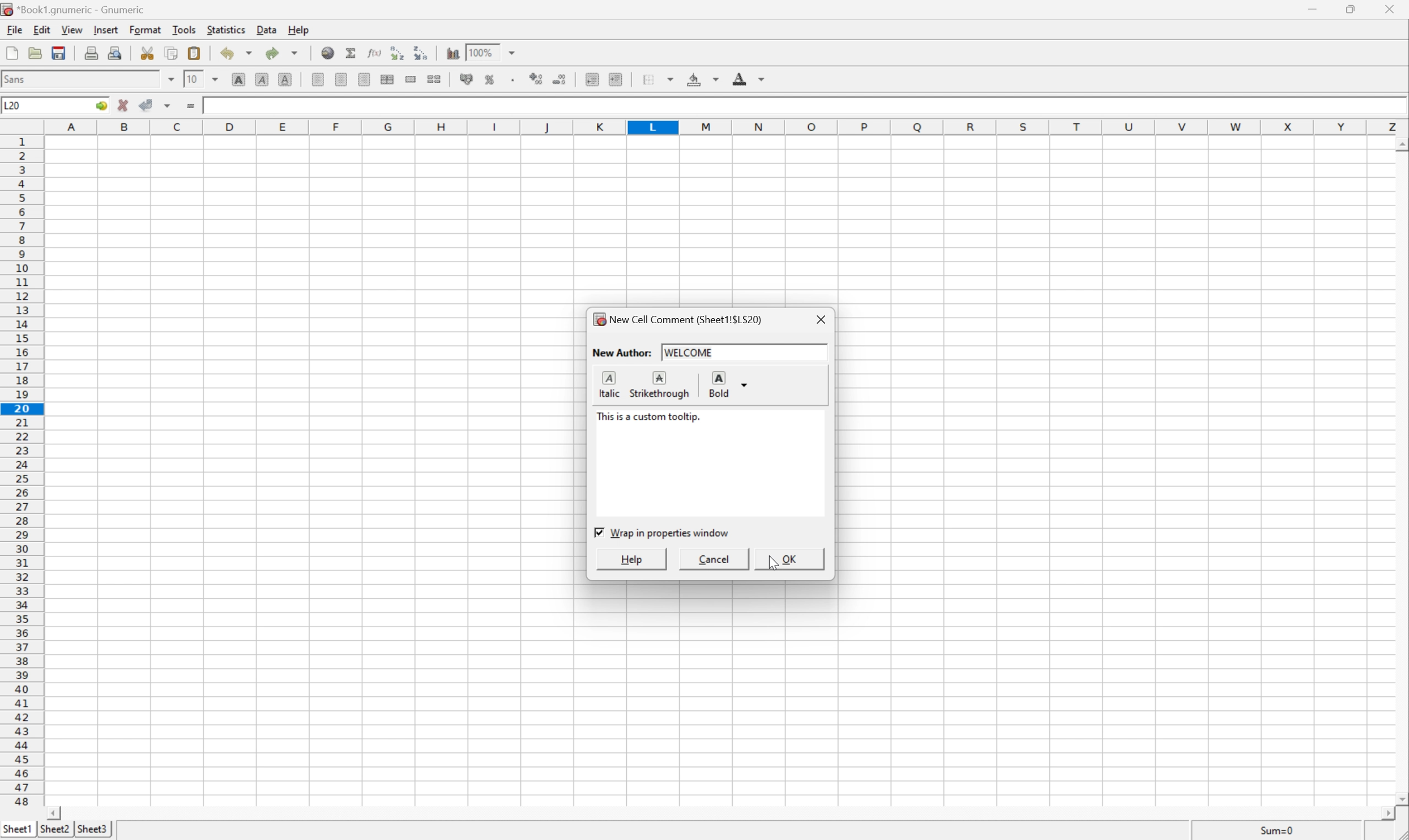 This screenshot has height=840, width=1409. What do you see at coordinates (190, 107) in the screenshot?
I see `Enter formula` at bounding box center [190, 107].